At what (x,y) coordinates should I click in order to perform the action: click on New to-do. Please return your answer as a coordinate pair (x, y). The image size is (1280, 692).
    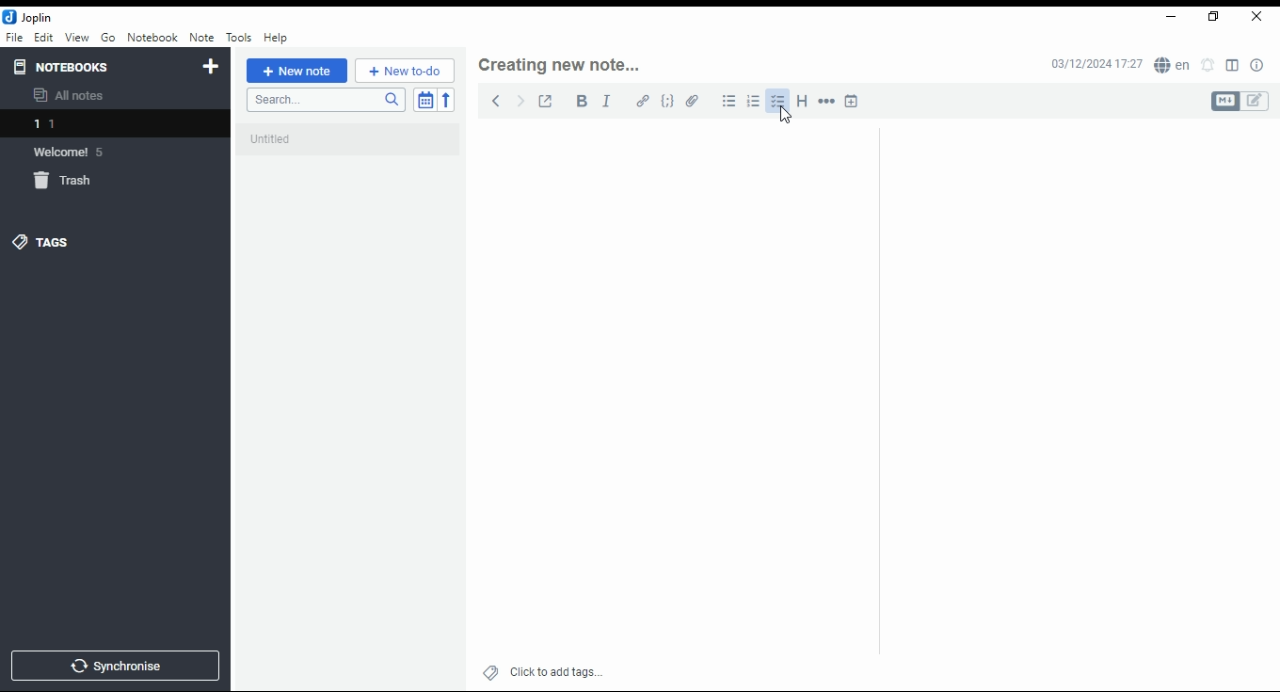
    Looking at the image, I should click on (405, 70).